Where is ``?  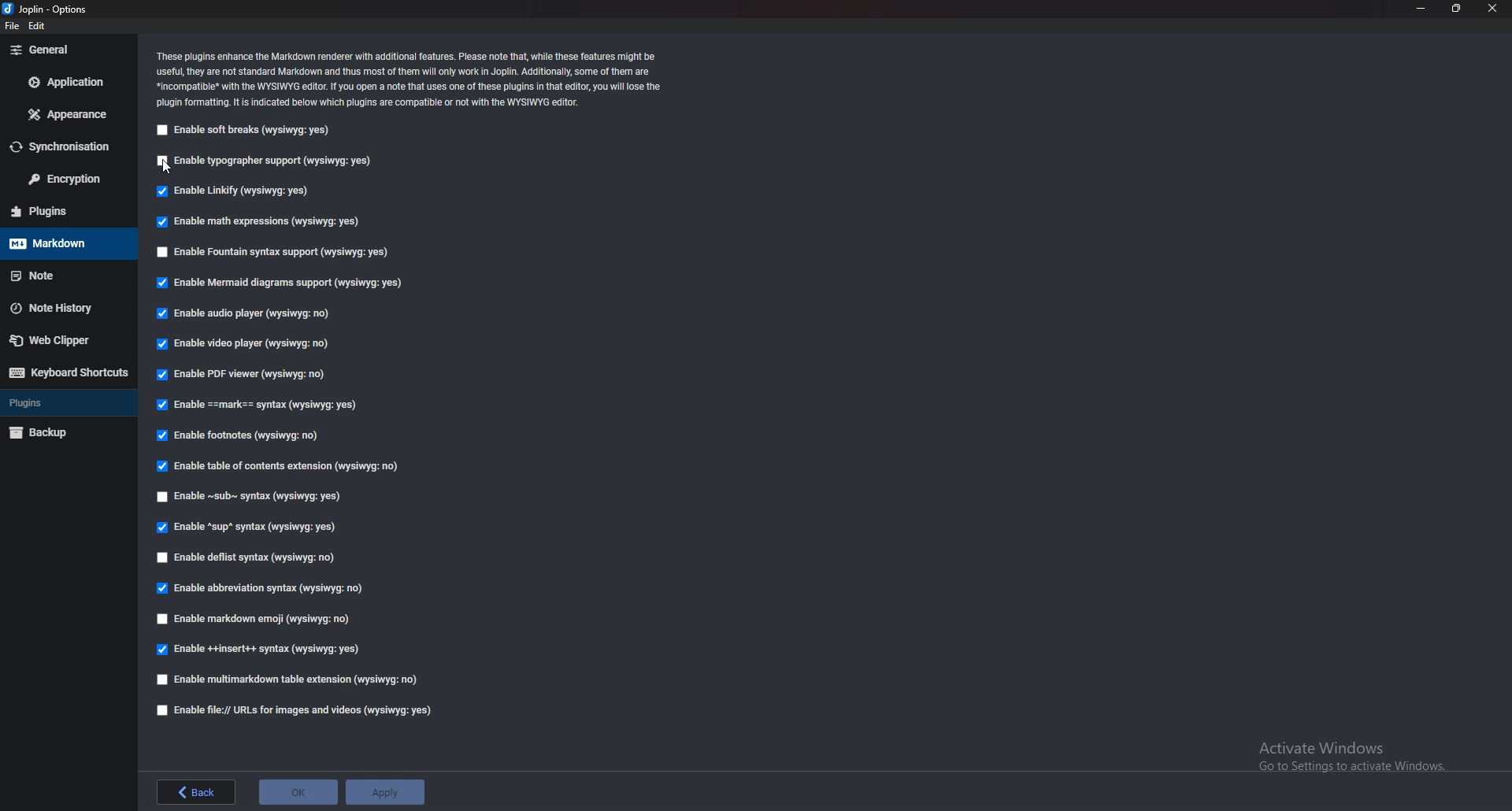  is located at coordinates (244, 313).